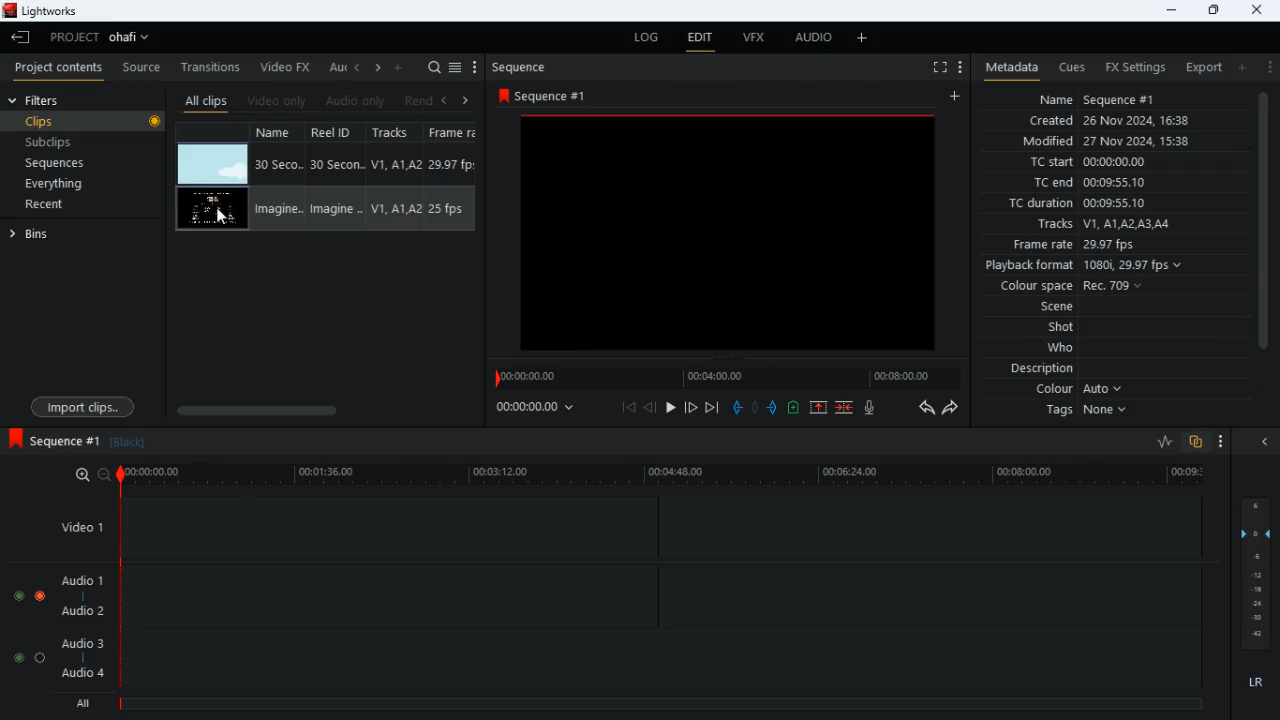 The height and width of the screenshot is (720, 1280). I want to click on fx settings, so click(1133, 66).